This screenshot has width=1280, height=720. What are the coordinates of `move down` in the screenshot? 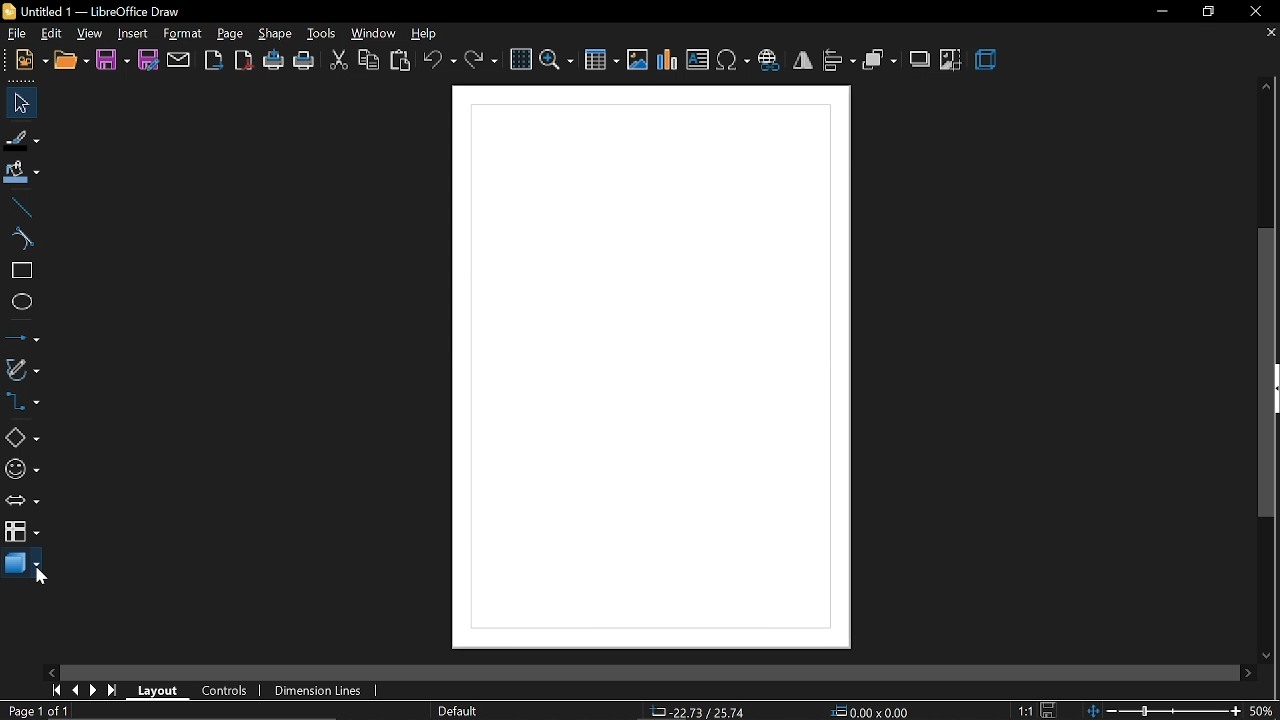 It's located at (1267, 655).